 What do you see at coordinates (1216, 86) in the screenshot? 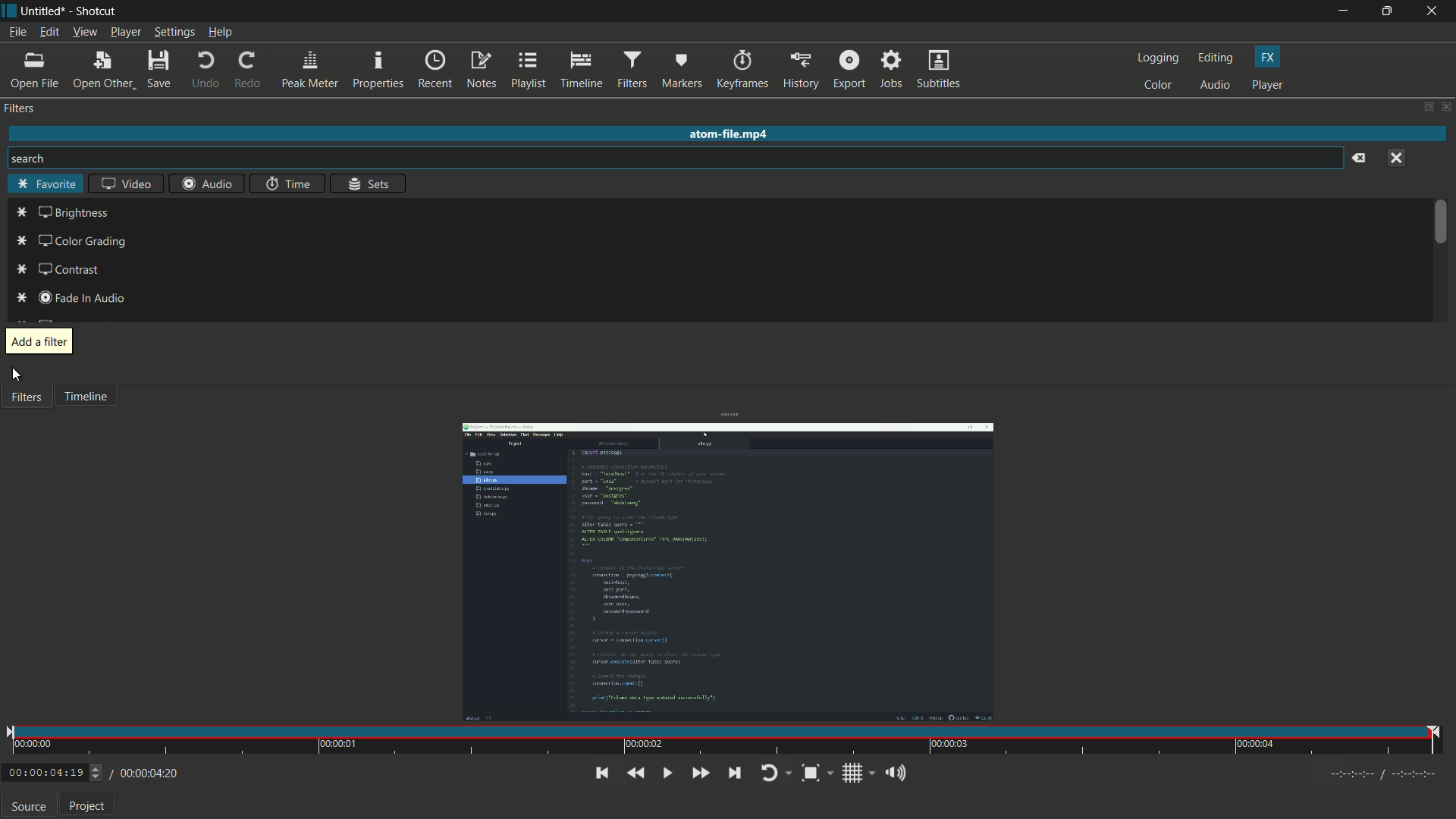
I see `audio` at bounding box center [1216, 86].